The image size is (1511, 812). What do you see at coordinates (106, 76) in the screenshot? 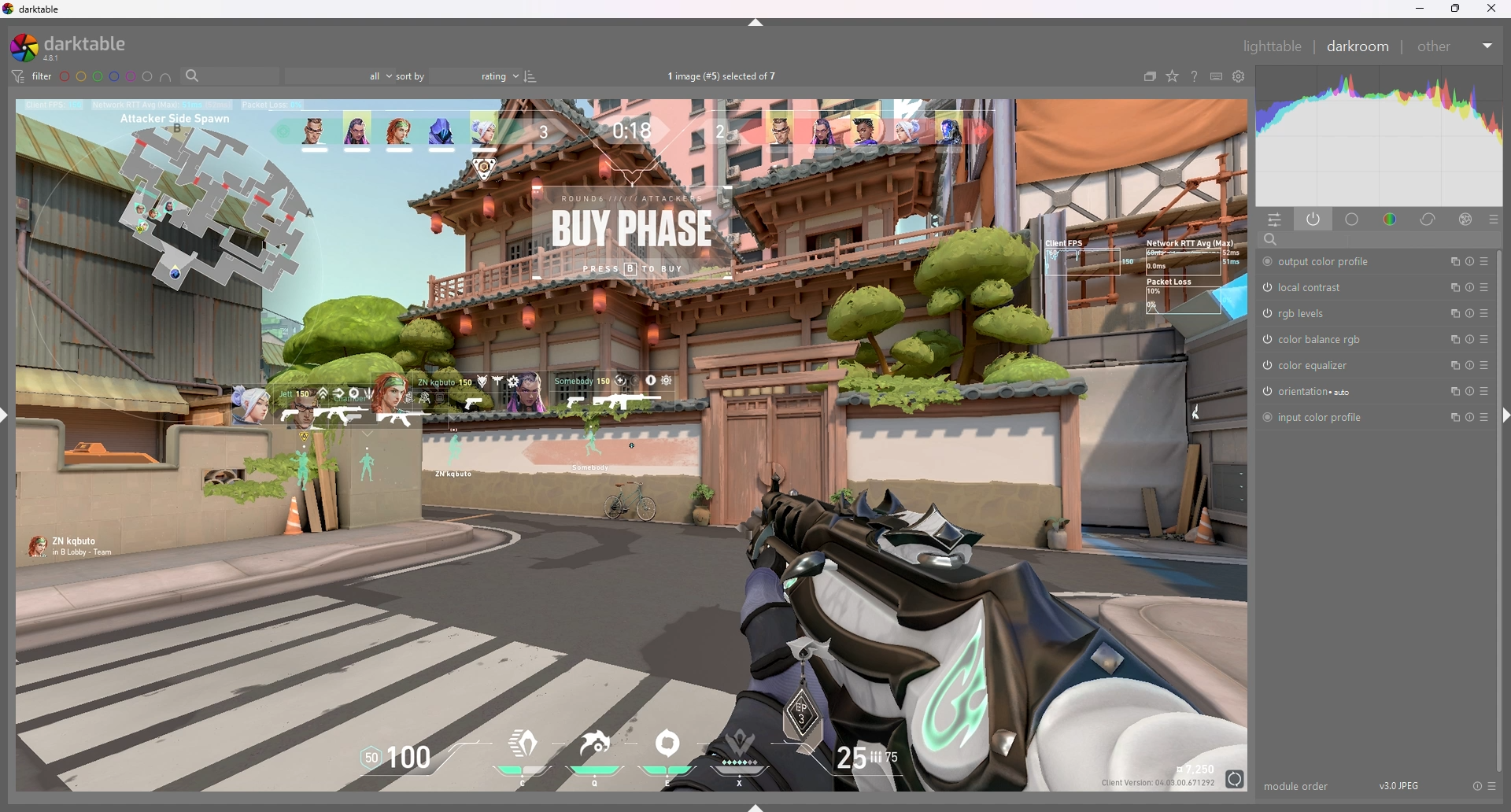
I see `color label` at bounding box center [106, 76].